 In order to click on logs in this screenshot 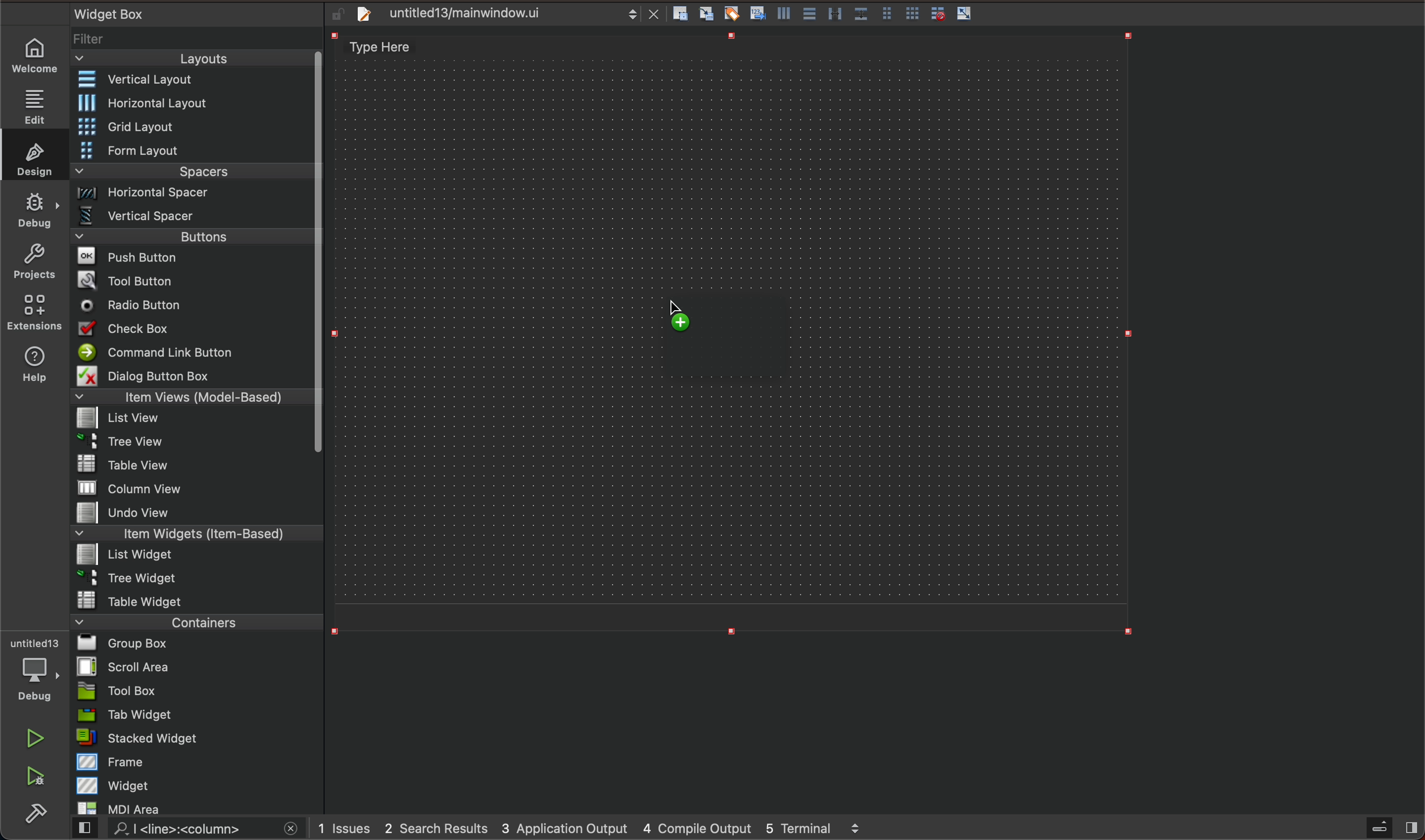, I will do `click(599, 826)`.